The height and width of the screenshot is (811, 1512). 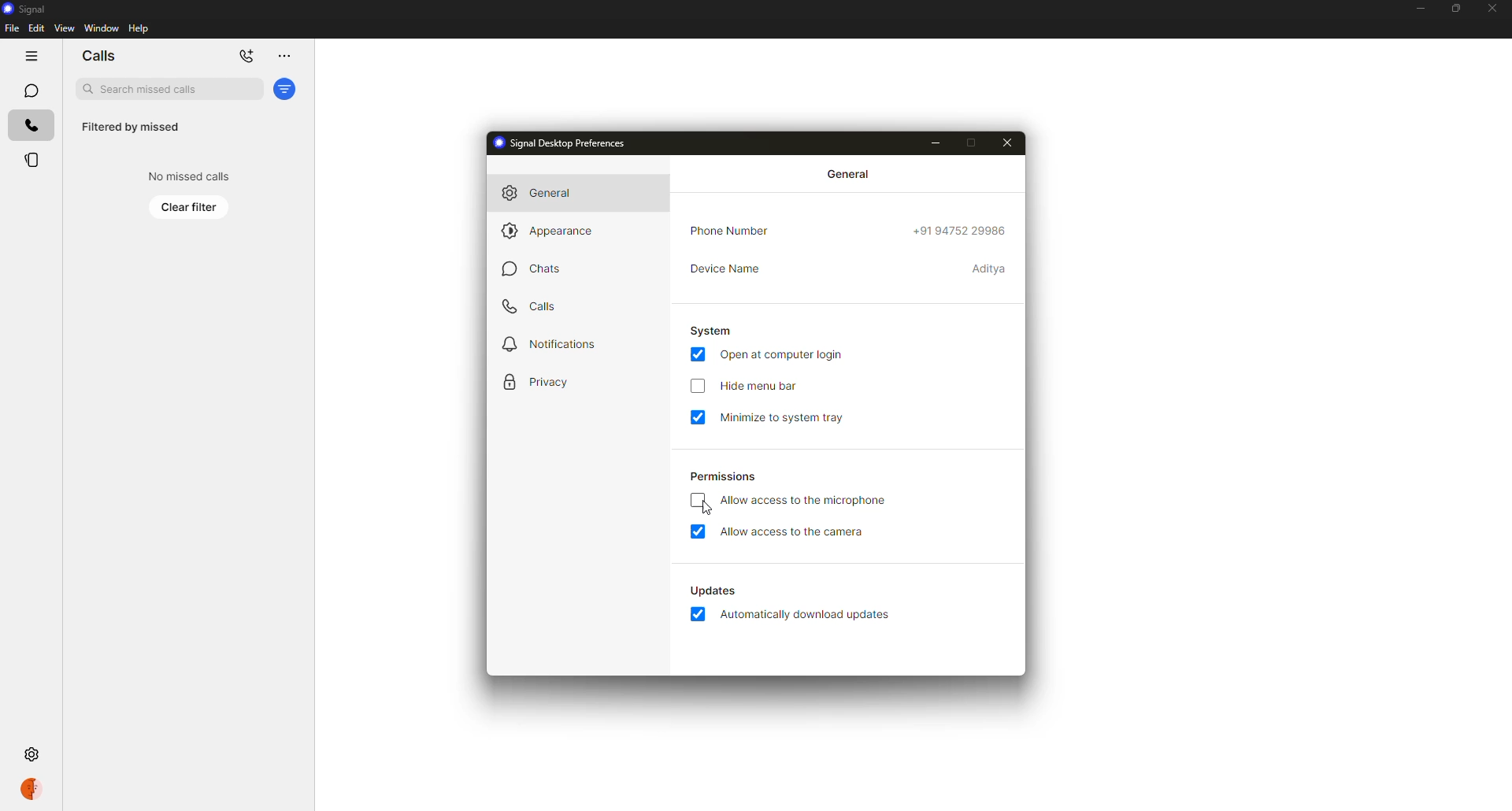 I want to click on no missed calls, so click(x=191, y=176).